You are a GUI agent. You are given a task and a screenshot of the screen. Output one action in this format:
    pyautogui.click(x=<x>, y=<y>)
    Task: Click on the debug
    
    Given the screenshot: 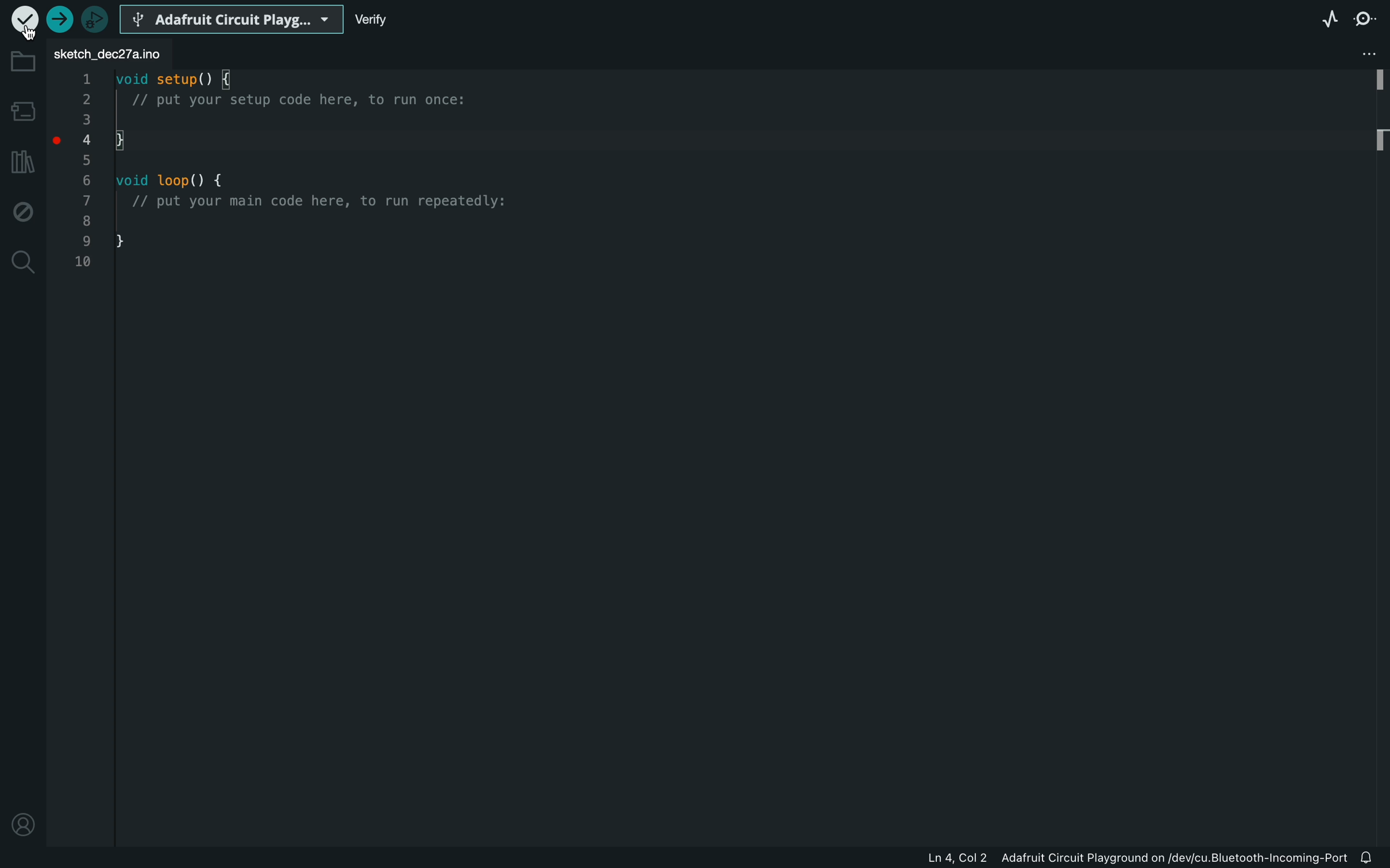 What is the action you would take?
    pyautogui.click(x=21, y=211)
    